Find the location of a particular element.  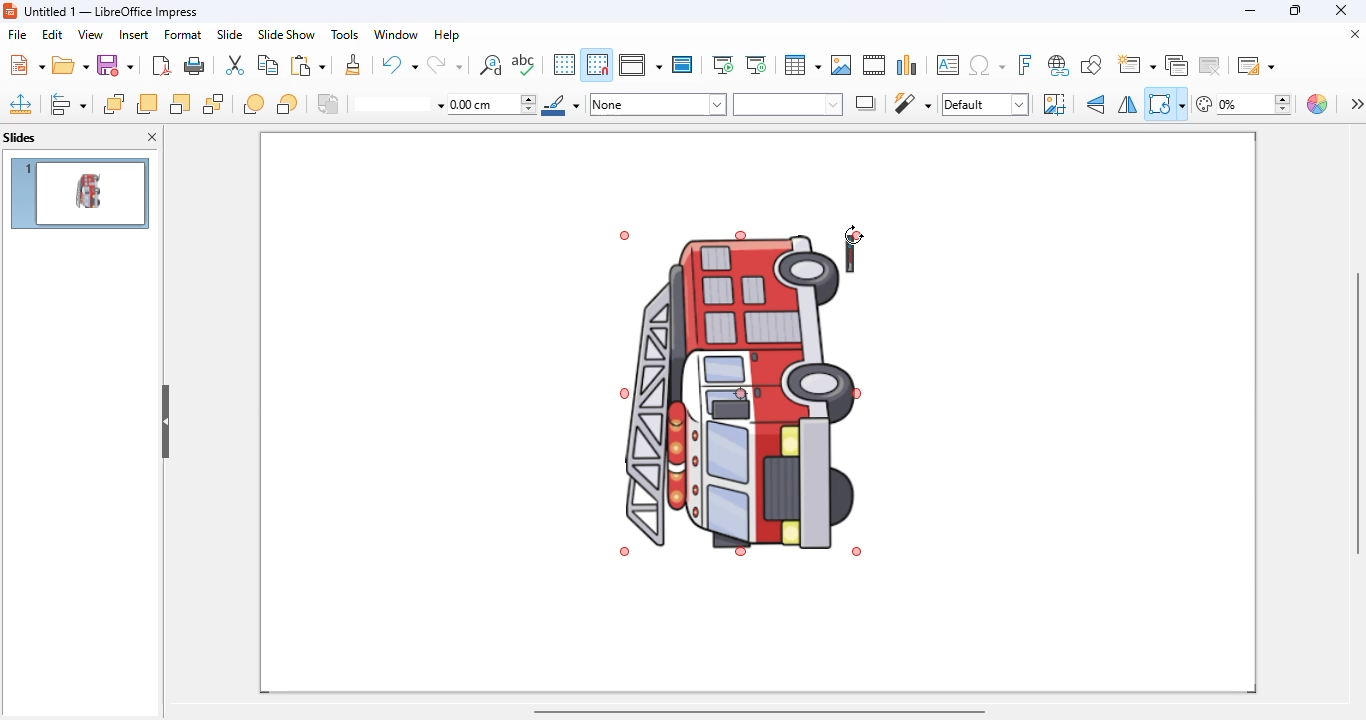

save is located at coordinates (116, 65).